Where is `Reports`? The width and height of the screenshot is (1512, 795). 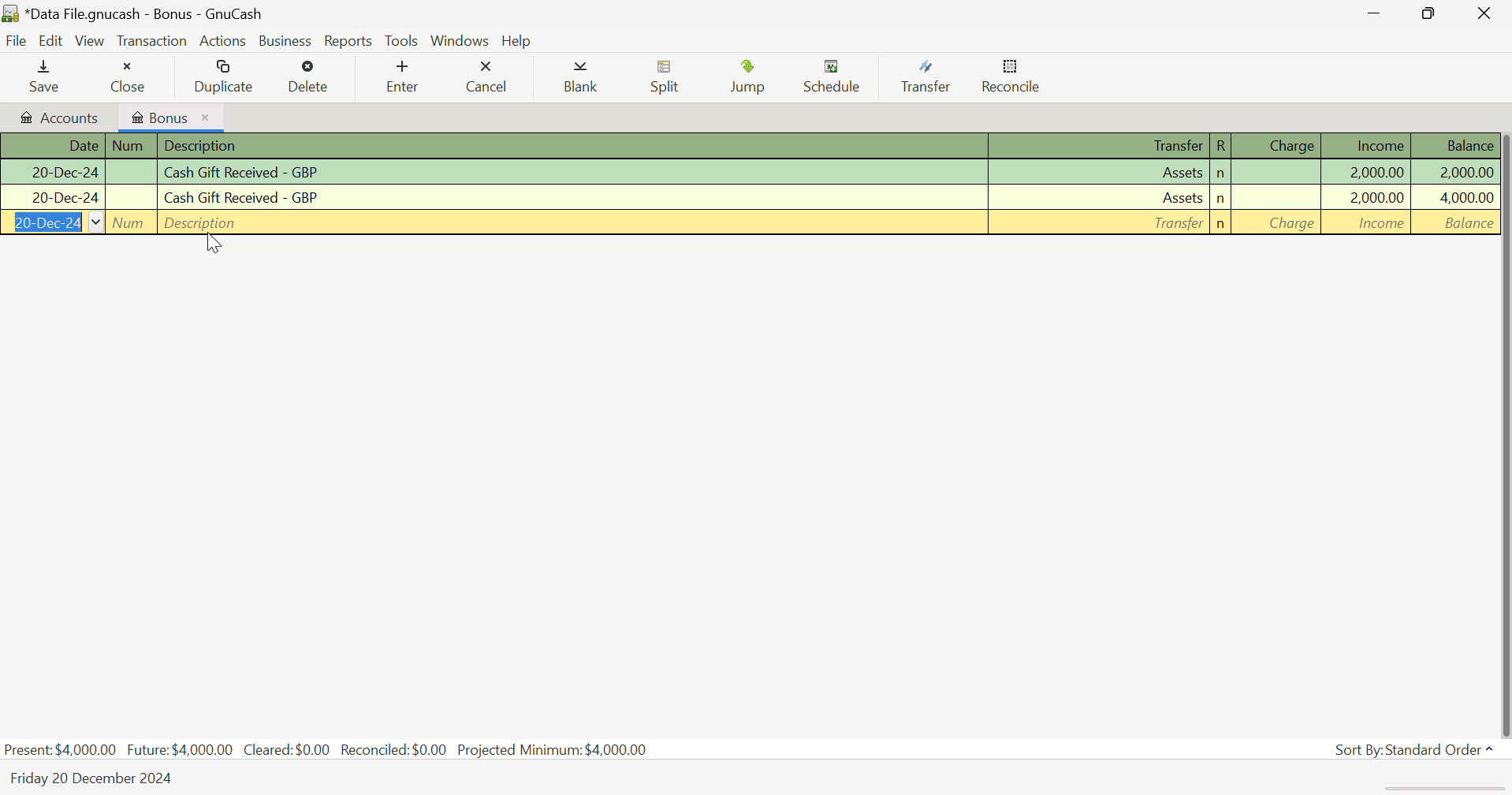 Reports is located at coordinates (345, 39).